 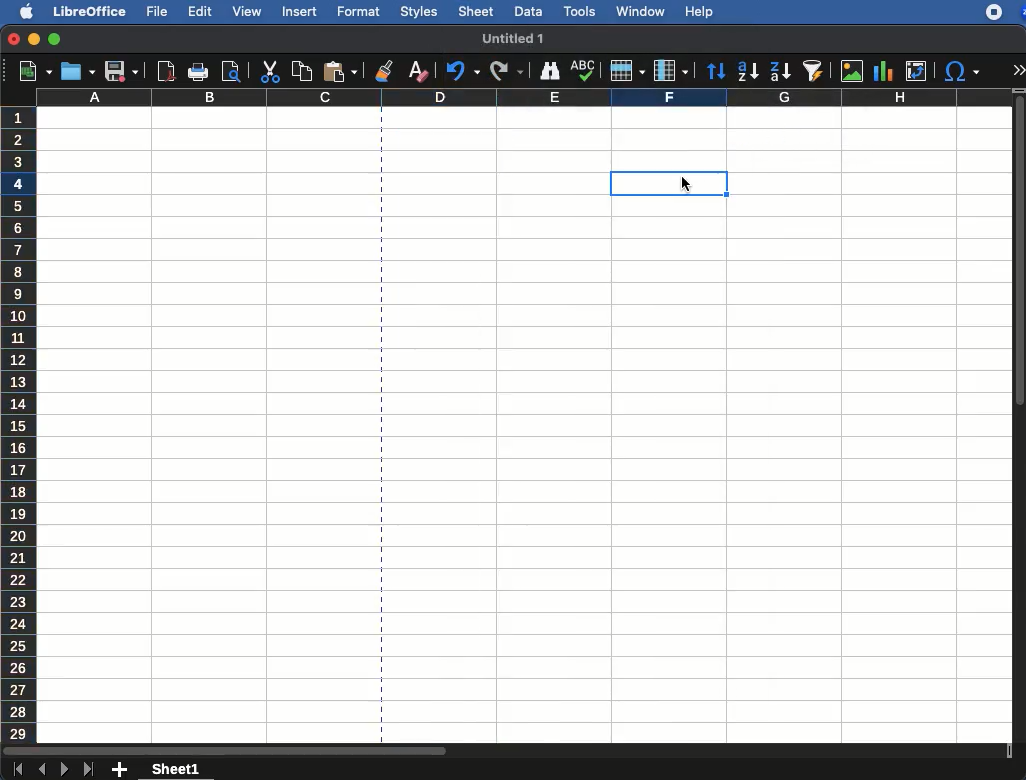 What do you see at coordinates (779, 68) in the screenshot?
I see `descendinga` at bounding box center [779, 68].